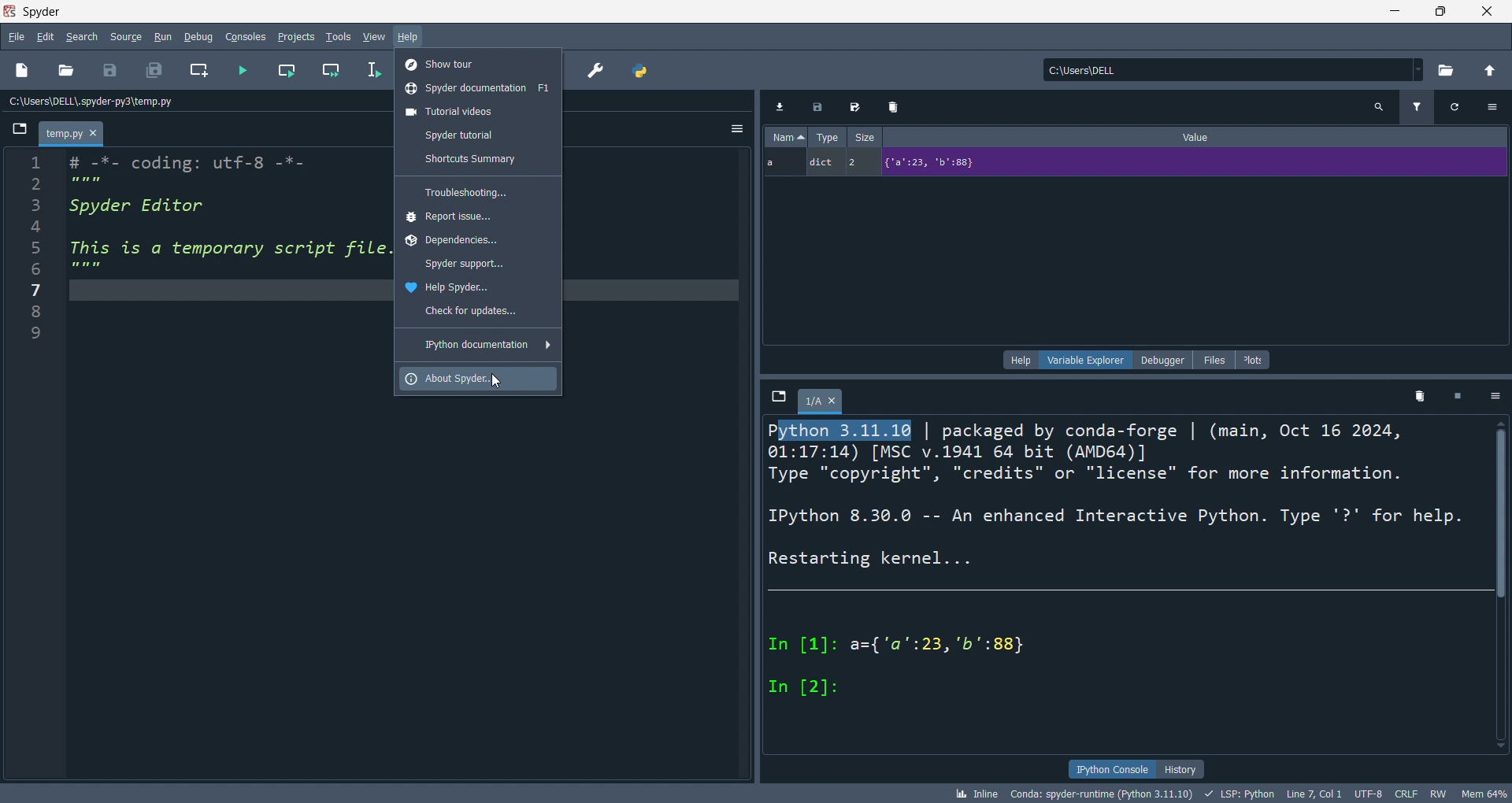 This screenshot has width=1512, height=803. Describe the element at coordinates (598, 68) in the screenshot. I see `preferences` at that location.